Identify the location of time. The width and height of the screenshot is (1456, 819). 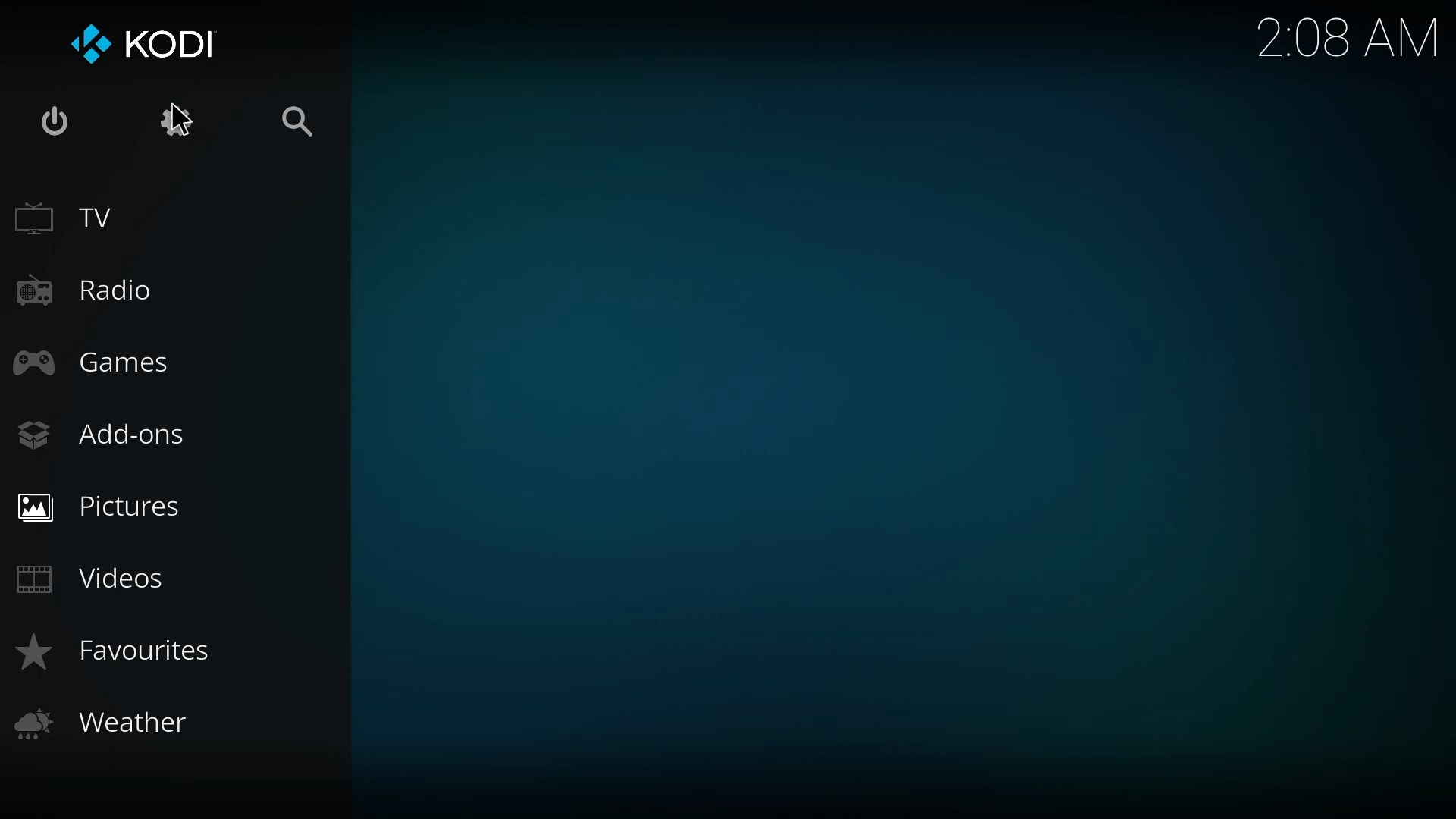
(1347, 37).